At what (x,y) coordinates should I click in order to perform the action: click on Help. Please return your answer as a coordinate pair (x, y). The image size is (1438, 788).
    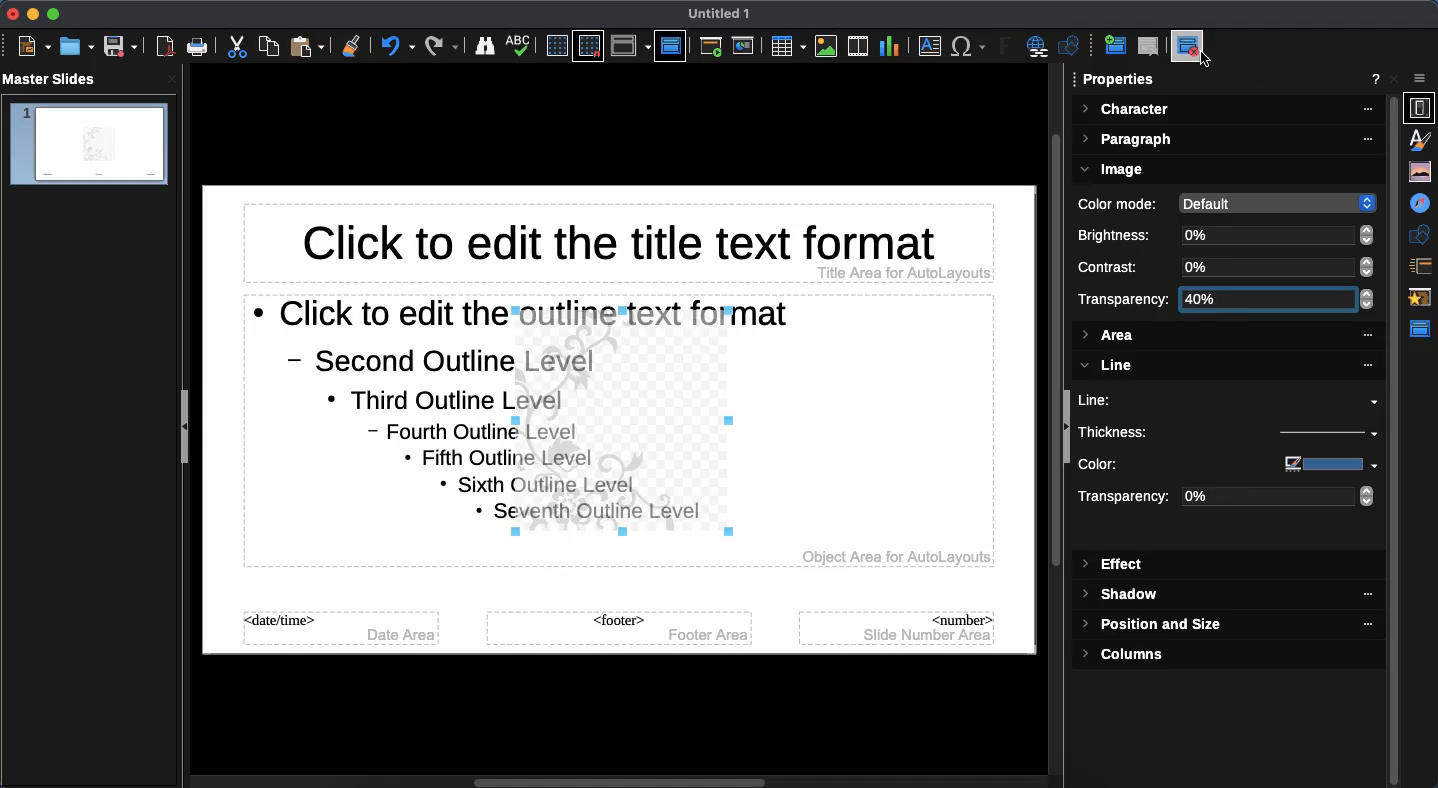
    Looking at the image, I should click on (1376, 81).